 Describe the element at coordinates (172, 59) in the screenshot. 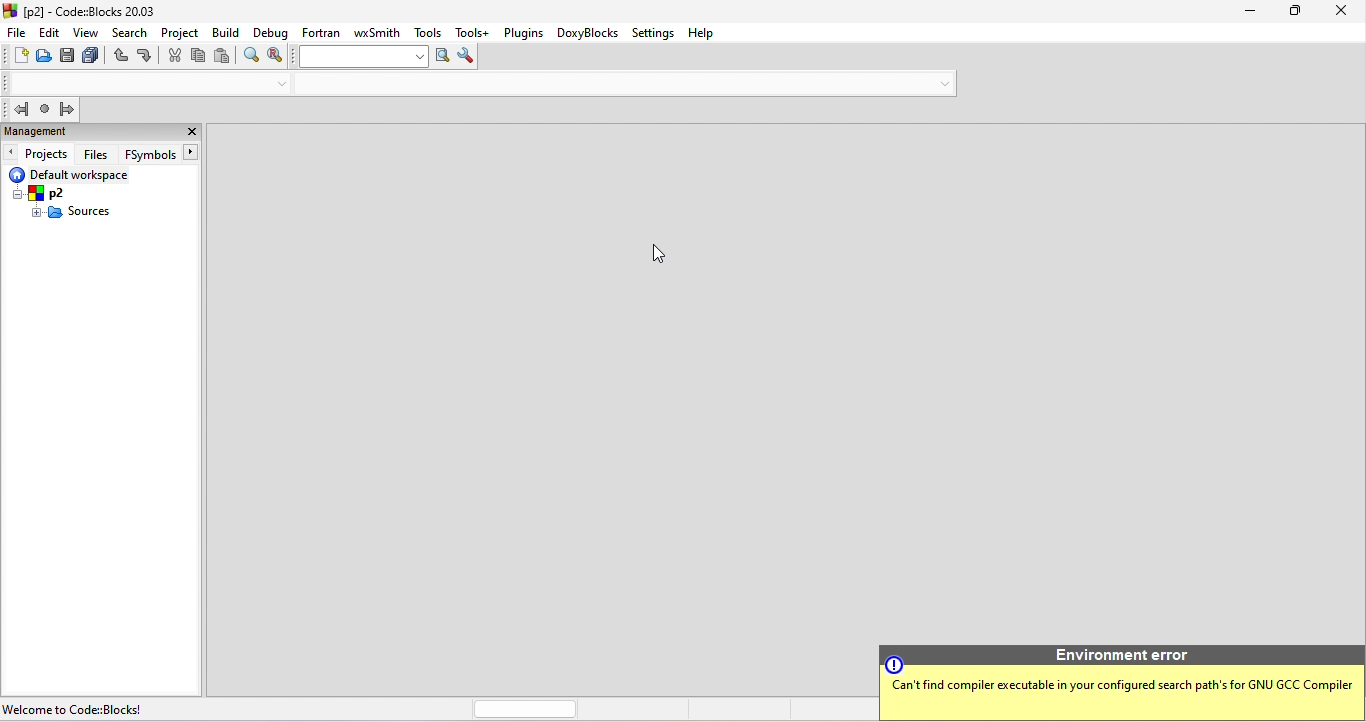

I see `cut` at that location.